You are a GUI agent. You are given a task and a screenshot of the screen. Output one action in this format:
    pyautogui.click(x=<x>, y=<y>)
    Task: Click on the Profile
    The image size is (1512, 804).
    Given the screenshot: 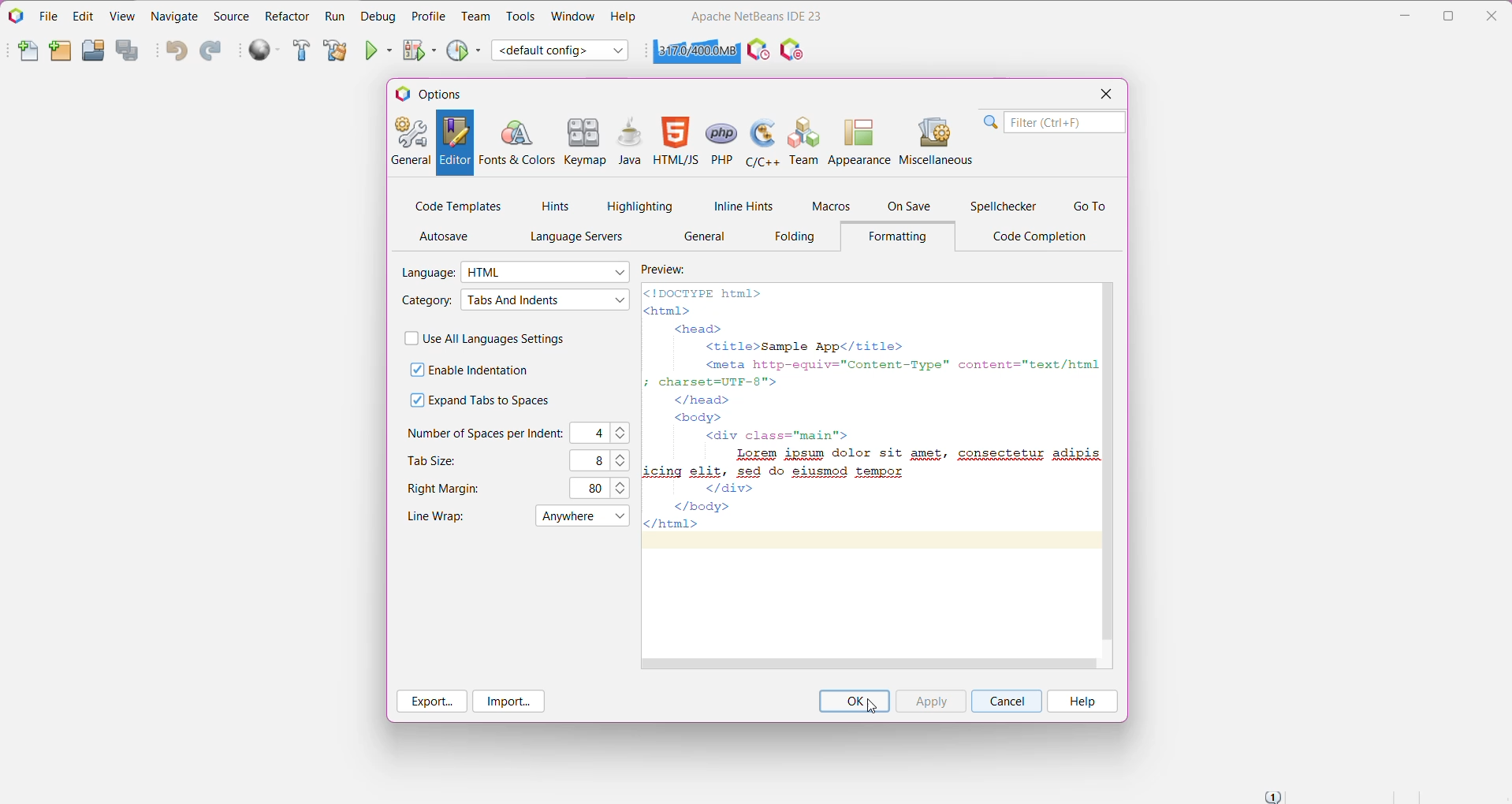 What is the action you would take?
    pyautogui.click(x=429, y=16)
    